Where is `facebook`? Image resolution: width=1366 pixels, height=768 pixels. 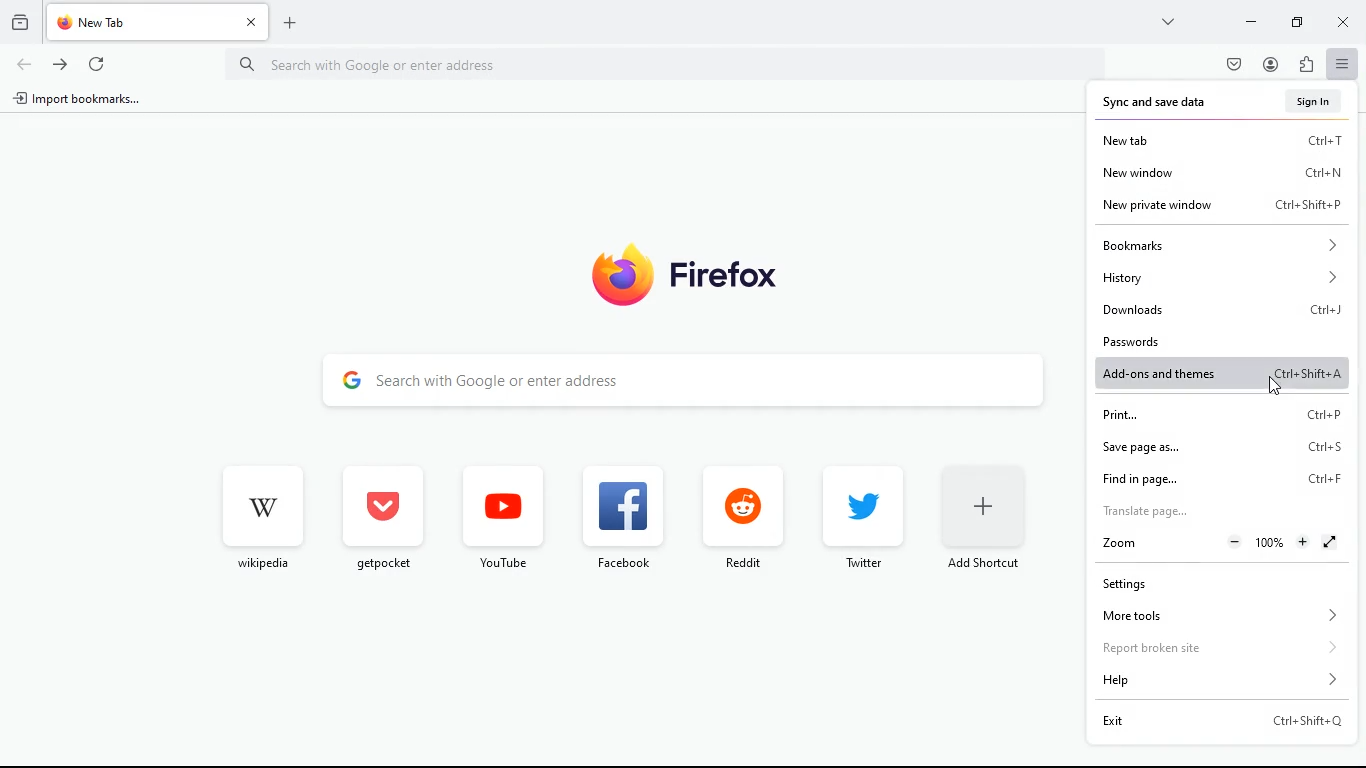
facebook is located at coordinates (628, 524).